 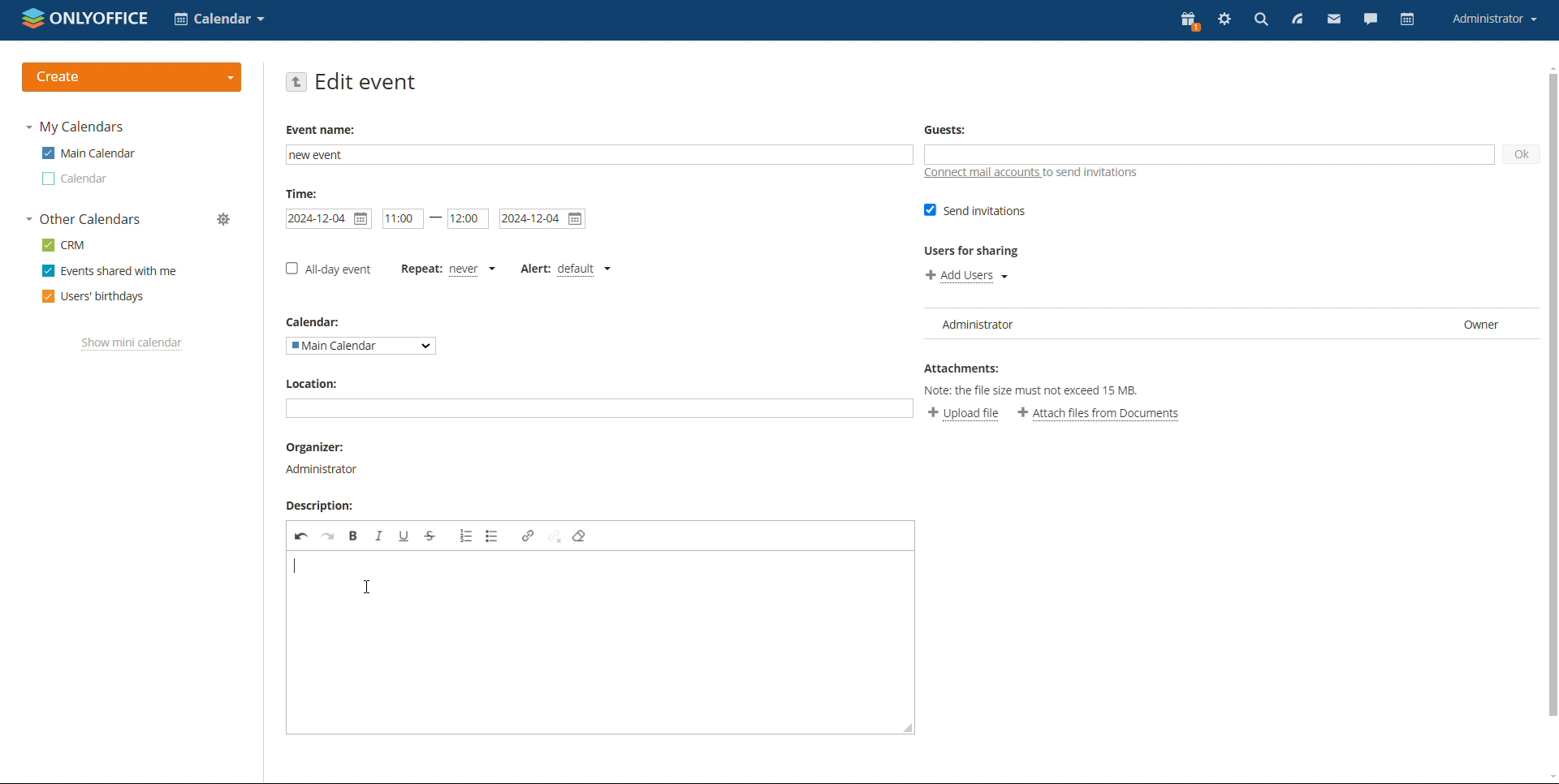 What do you see at coordinates (528, 536) in the screenshot?
I see `link` at bounding box center [528, 536].